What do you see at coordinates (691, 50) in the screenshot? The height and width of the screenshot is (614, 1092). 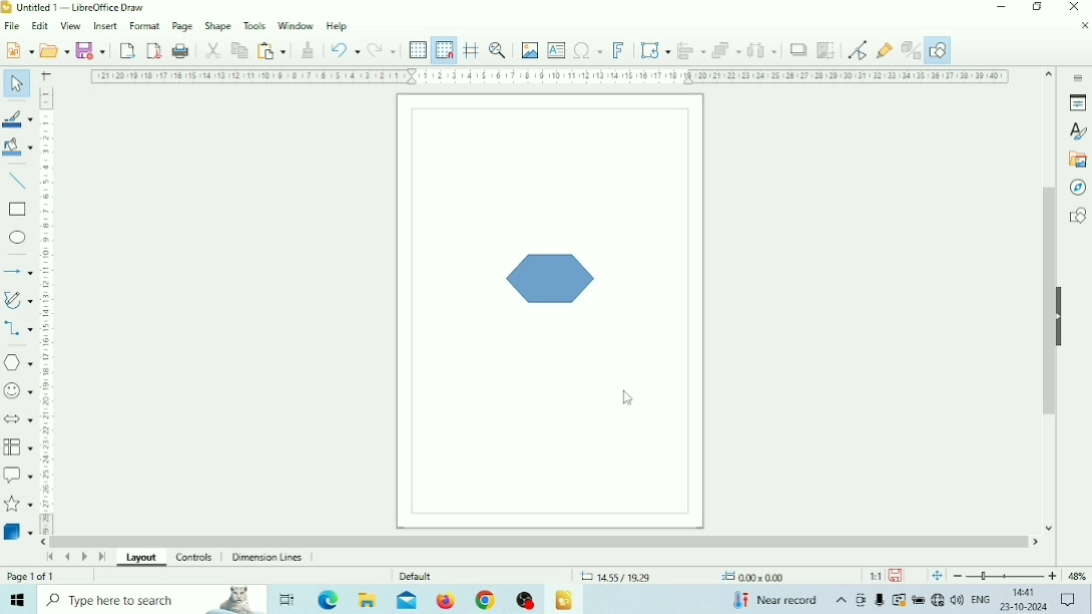 I see `Align Objects` at bounding box center [691, 50].